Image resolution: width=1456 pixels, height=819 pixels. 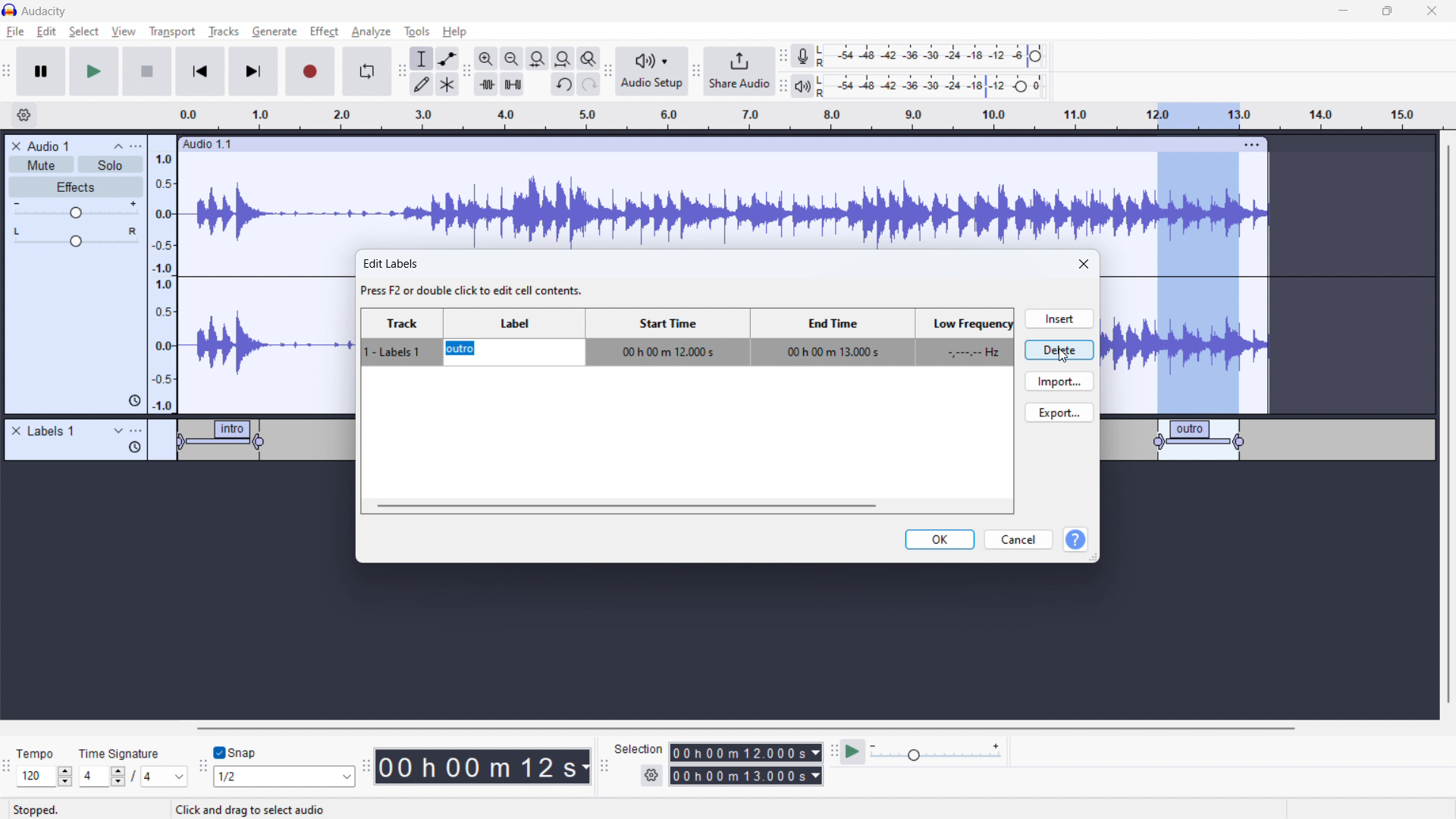 I want to click on record, so click(x=311, y=71).